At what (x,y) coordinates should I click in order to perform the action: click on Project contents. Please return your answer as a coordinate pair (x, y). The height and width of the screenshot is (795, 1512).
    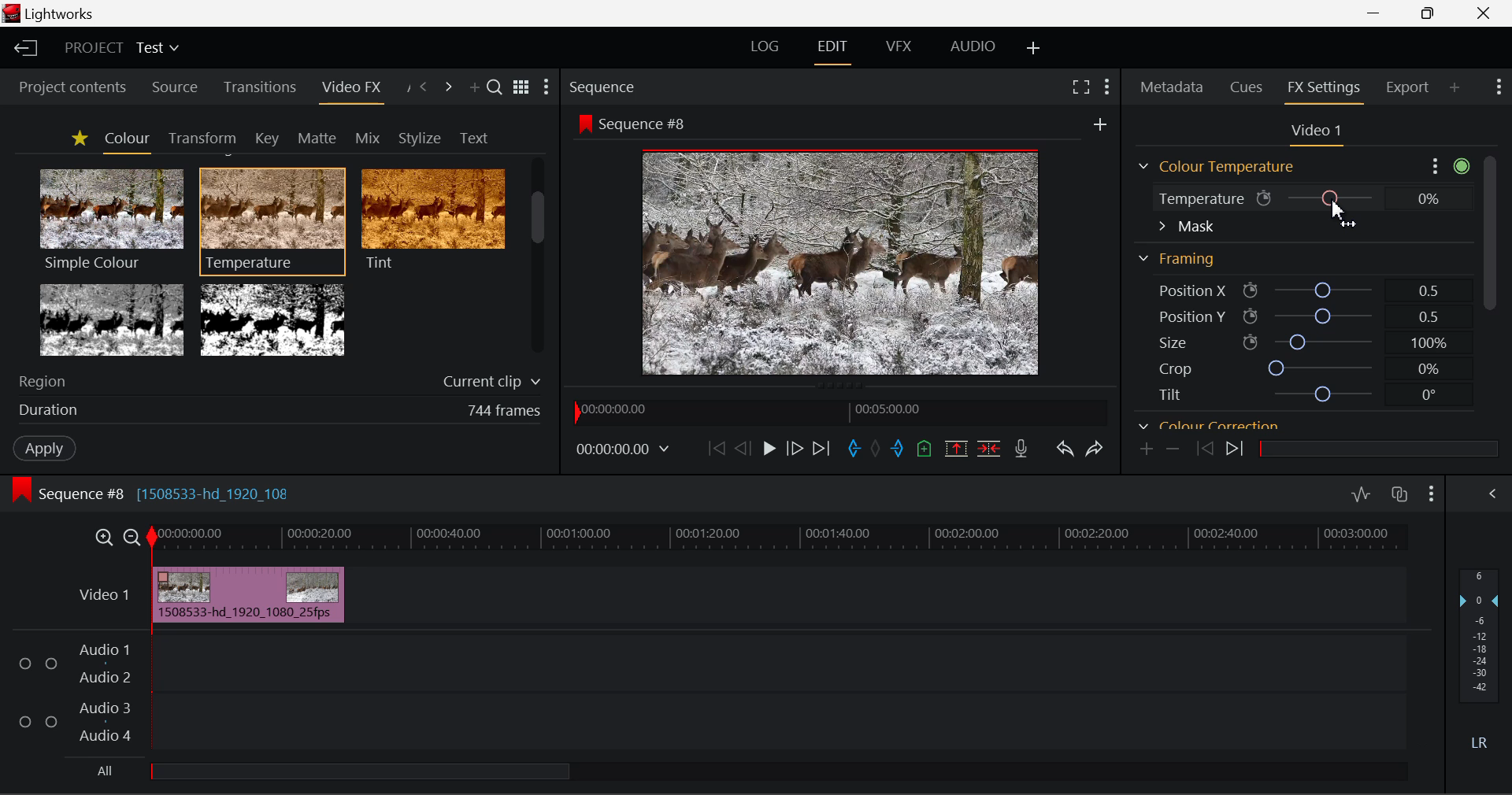
    Looking at the image, I should click on (65, 89).